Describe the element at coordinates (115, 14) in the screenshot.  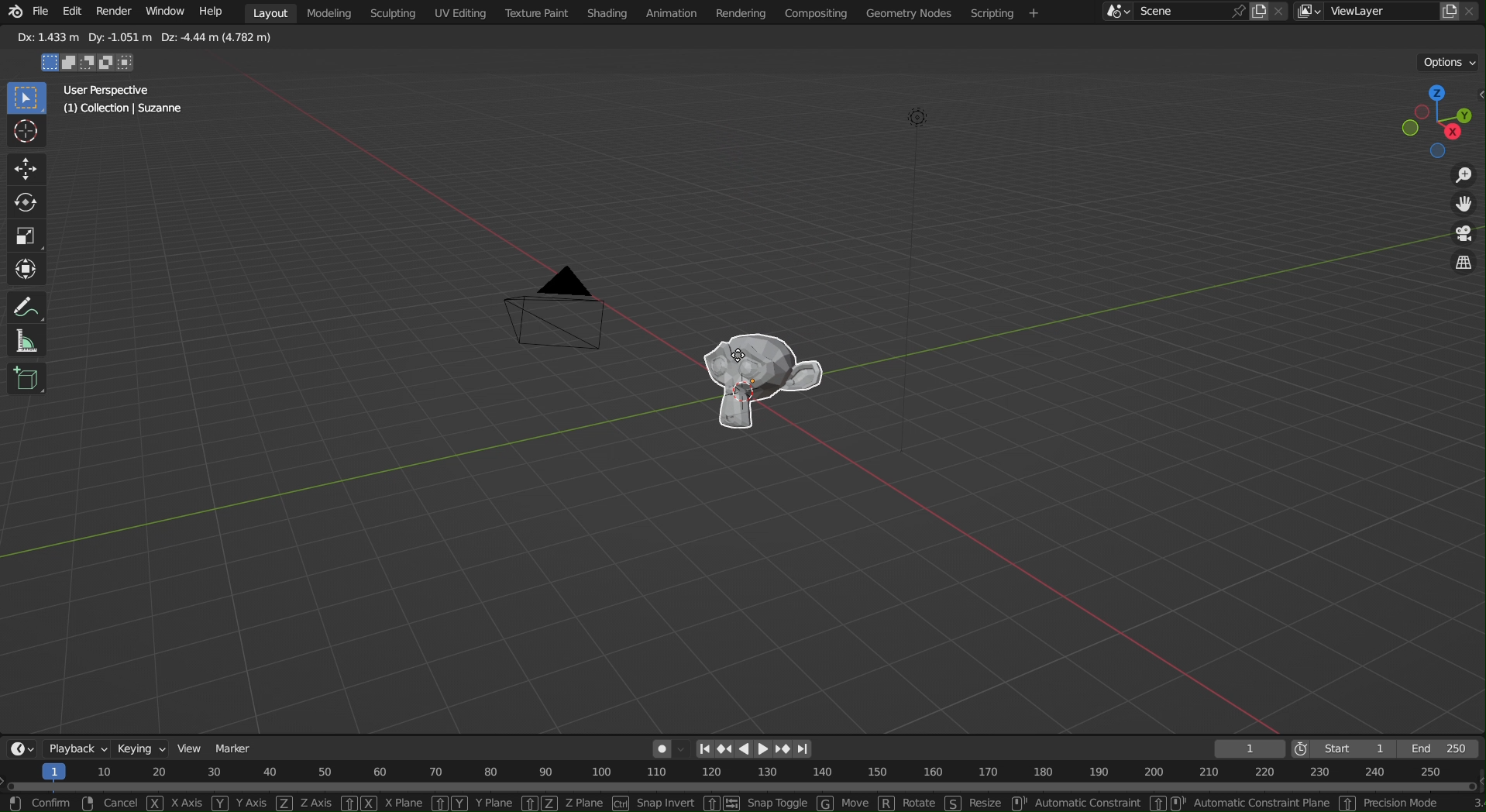
I see `Render` at that location.